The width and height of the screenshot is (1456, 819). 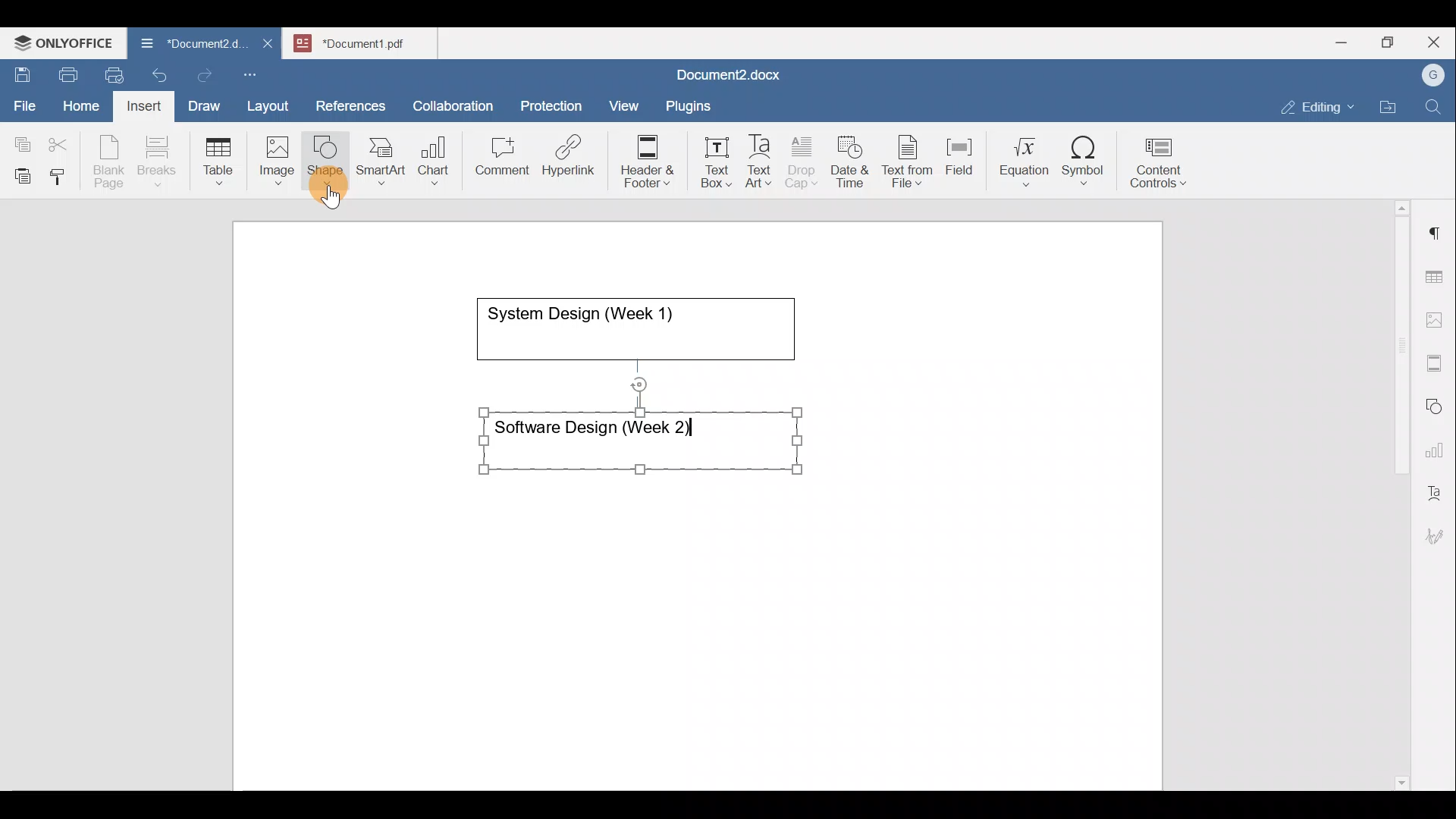 What do you see at coordinates (378, 158) in the screenshot?
I see `SmartArt` at bounding box center [378, 158].